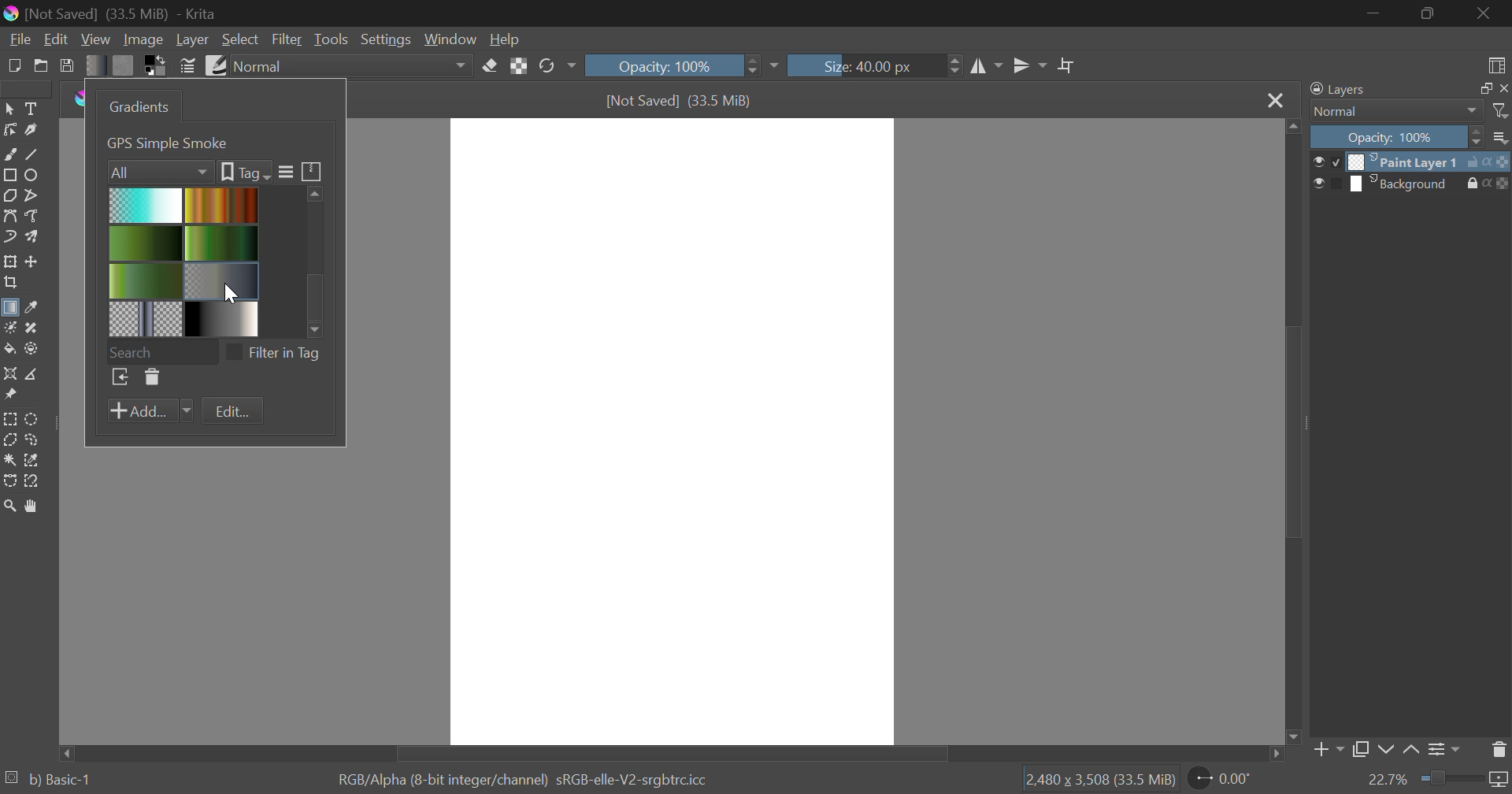 The width and height of the screenshot is (1512, 794). Describe the element at coordinates (1476, 184) in the screenshot. I see `lock` at that location.